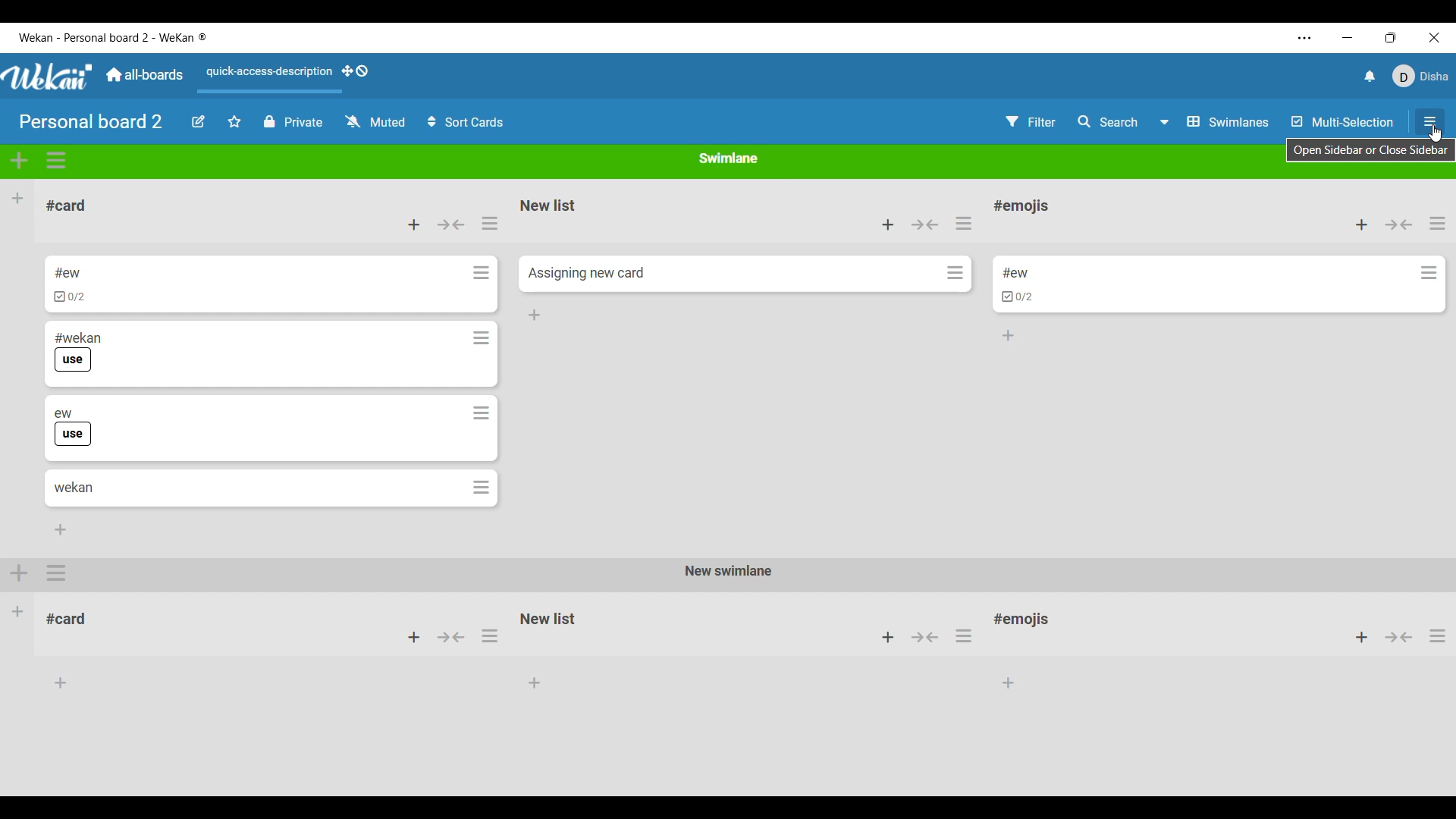 The height and width of the screenshot is (819, 1456). Describe the element at coordinates (1018, 297) in the screenshot. I see `Indicates checklist` at that location.